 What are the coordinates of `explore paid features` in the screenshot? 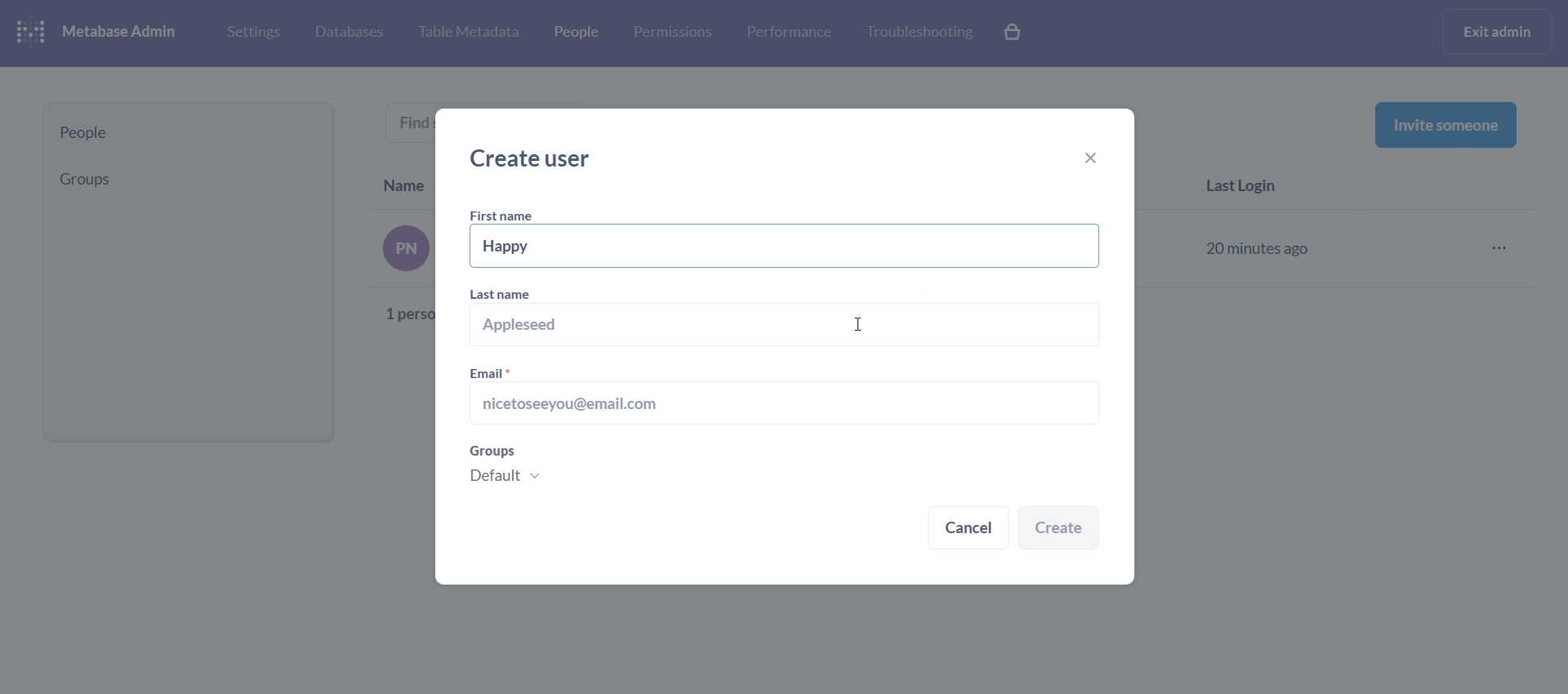 It's located at (1014, 33).